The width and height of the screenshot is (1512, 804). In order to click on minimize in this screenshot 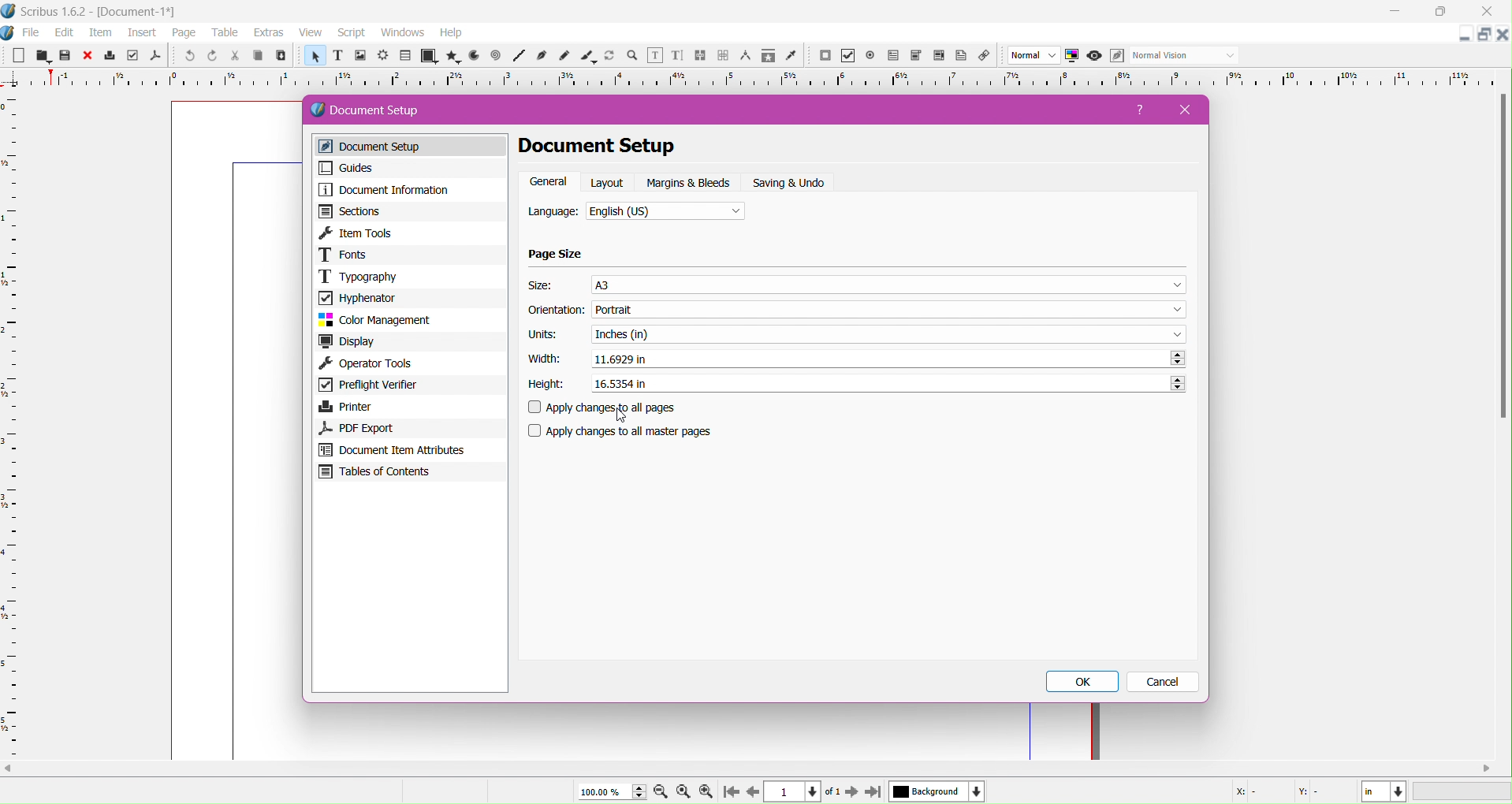, I will do `click(1395, 12)`.